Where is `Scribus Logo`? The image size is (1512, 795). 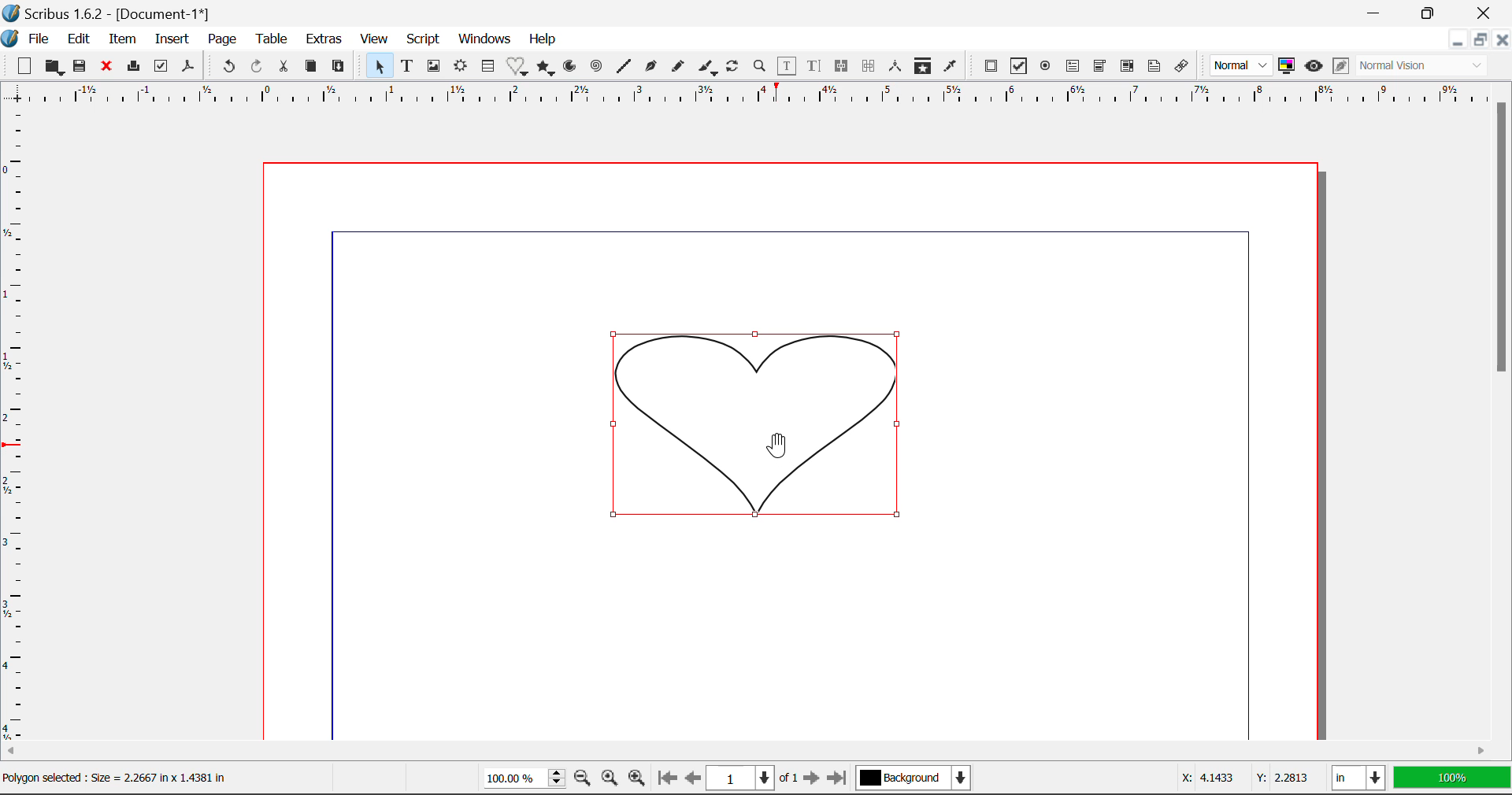
Scribus Logo is located at coordinates (9, 39).